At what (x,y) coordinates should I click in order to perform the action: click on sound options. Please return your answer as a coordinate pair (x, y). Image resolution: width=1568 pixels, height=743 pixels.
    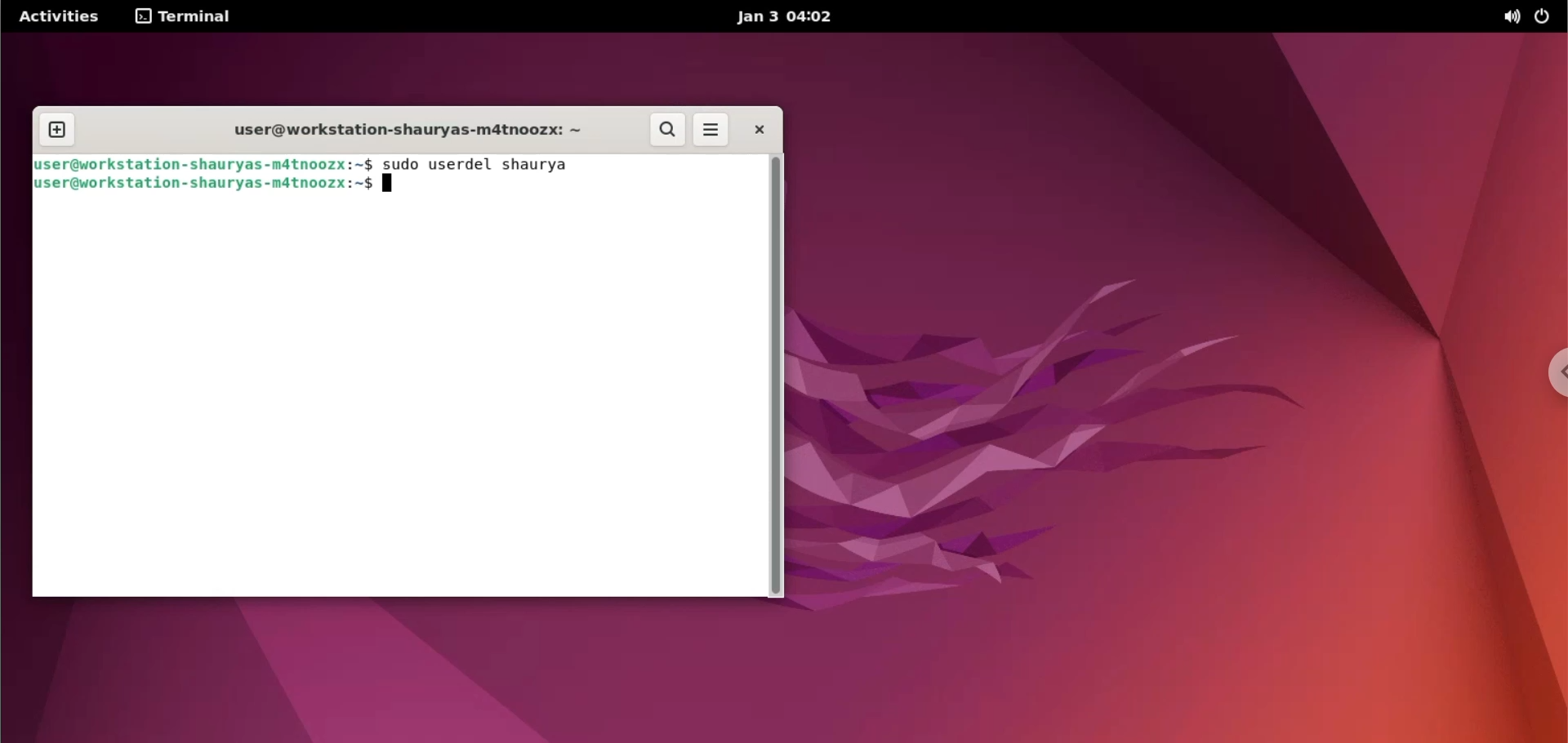
    Looking at the image, I should click on (1512, 16).